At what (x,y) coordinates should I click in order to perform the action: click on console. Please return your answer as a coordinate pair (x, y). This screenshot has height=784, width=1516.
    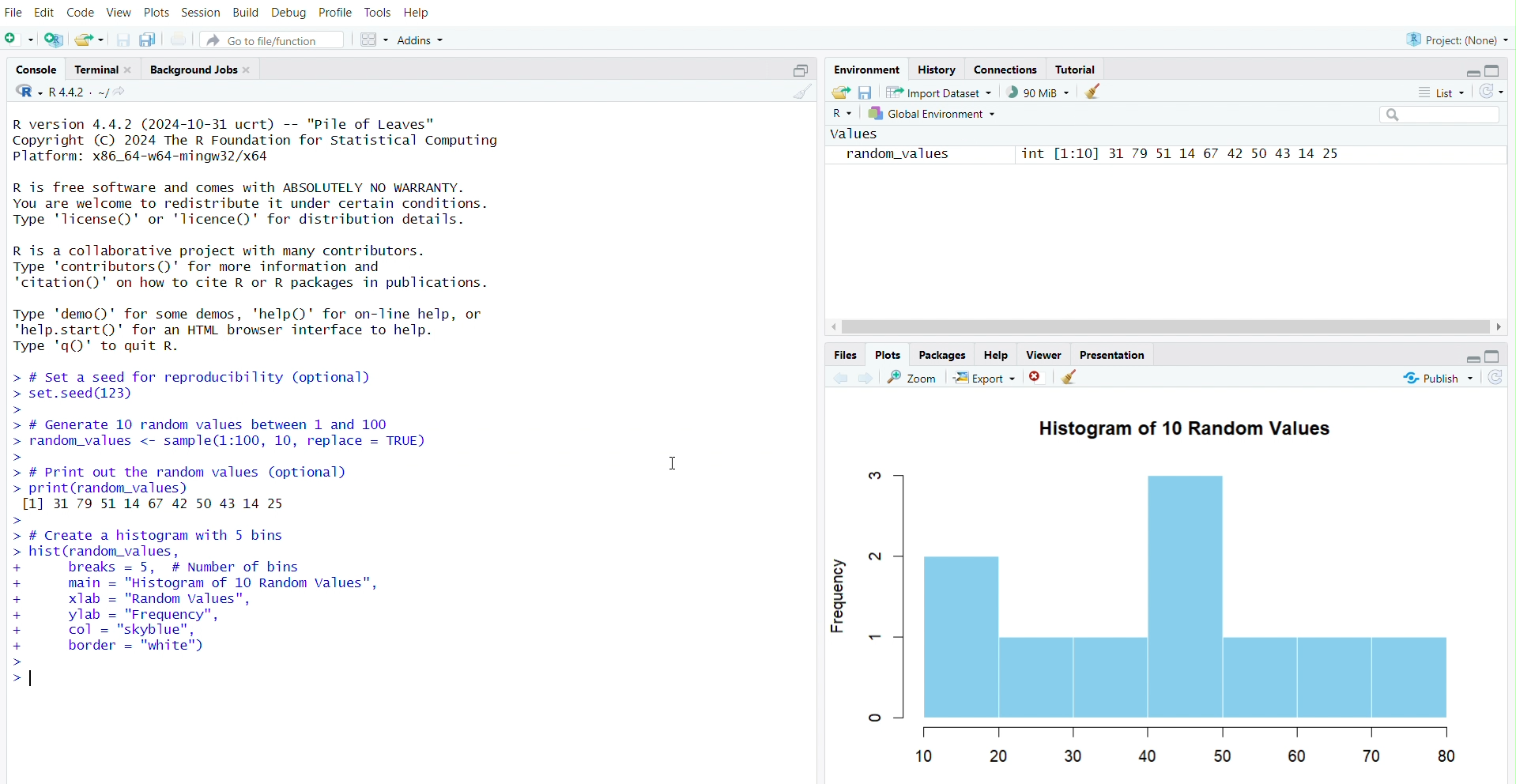
    Looking at the image, I should click on (30, 67).